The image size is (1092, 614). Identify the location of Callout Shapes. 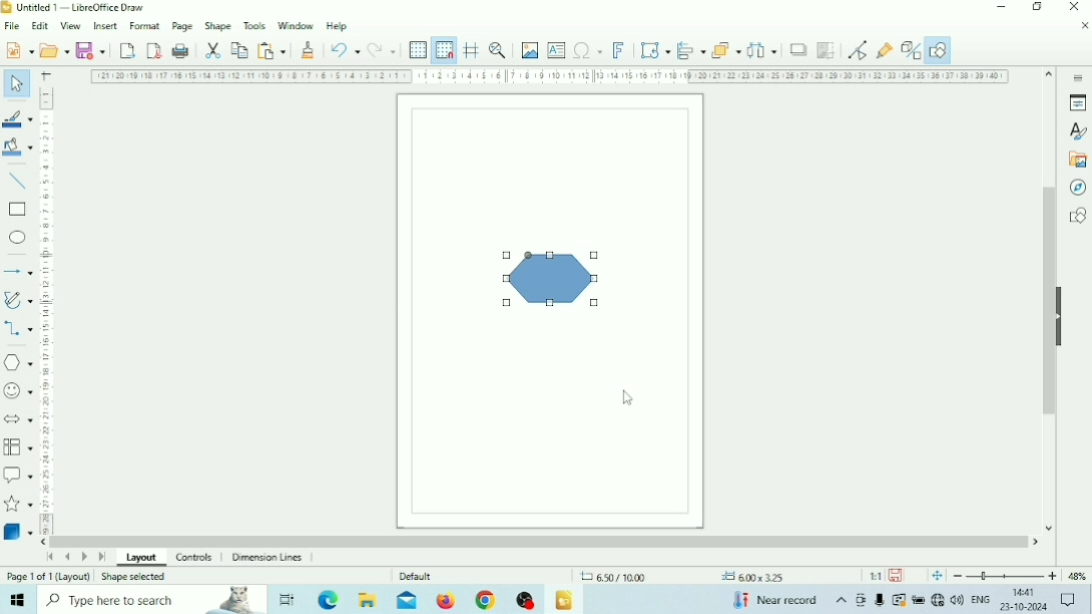
(18, 475).